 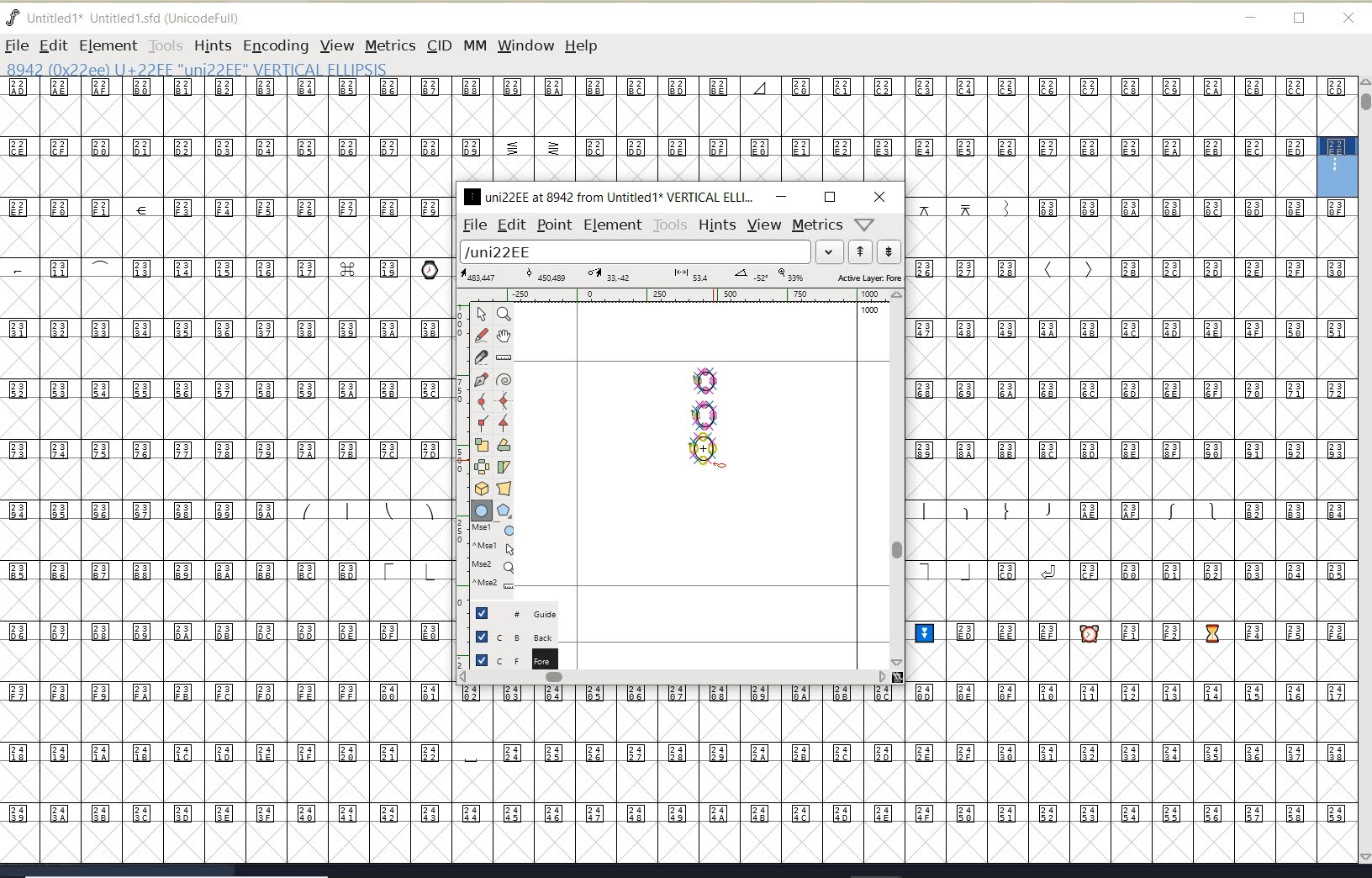 What do you see at coordinates (483, 315) in the screenshot?
I see `pointer` at bounding box center [483, 315].